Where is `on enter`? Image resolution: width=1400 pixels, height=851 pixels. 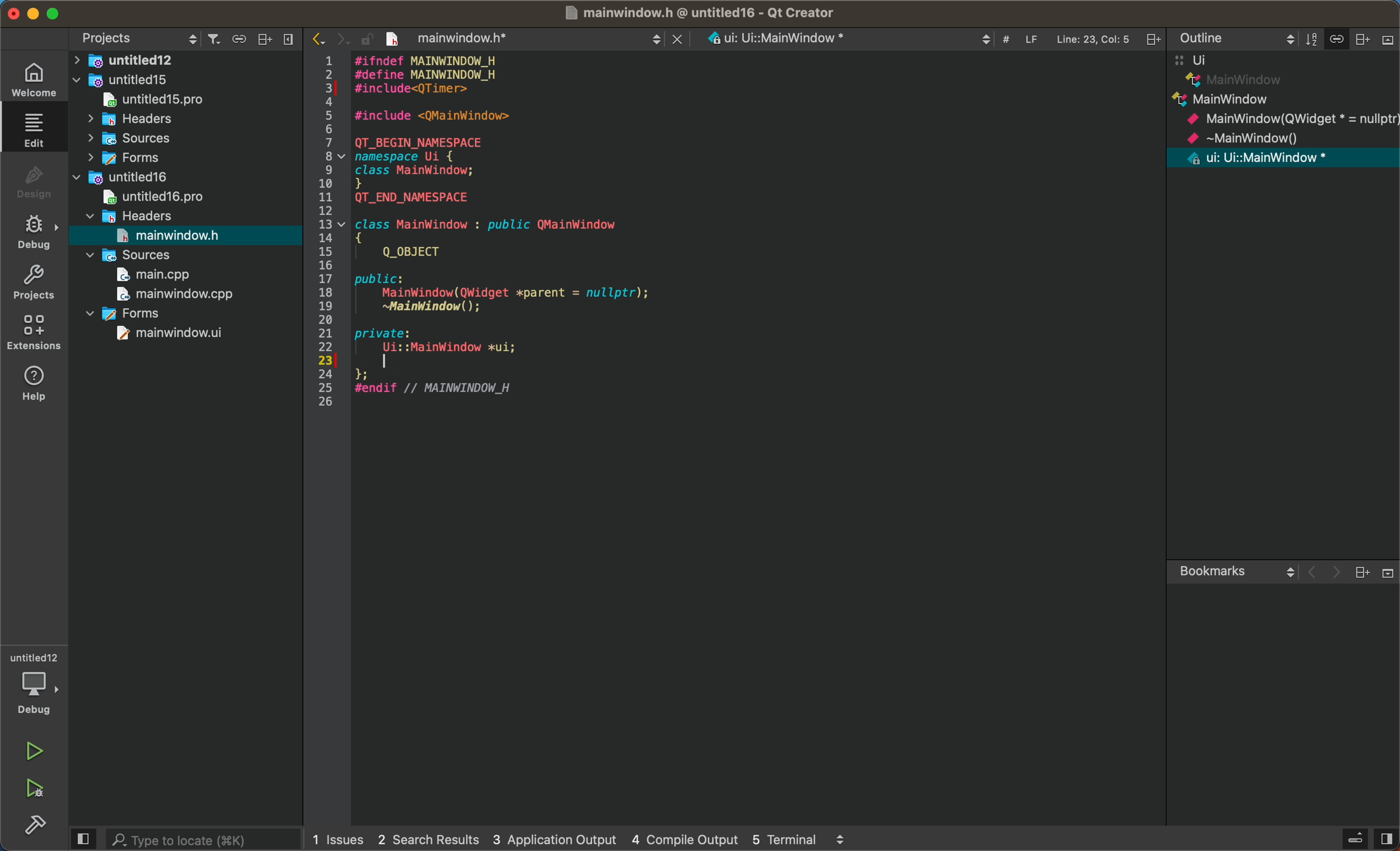 on enter is located at coordinates (456, 362).